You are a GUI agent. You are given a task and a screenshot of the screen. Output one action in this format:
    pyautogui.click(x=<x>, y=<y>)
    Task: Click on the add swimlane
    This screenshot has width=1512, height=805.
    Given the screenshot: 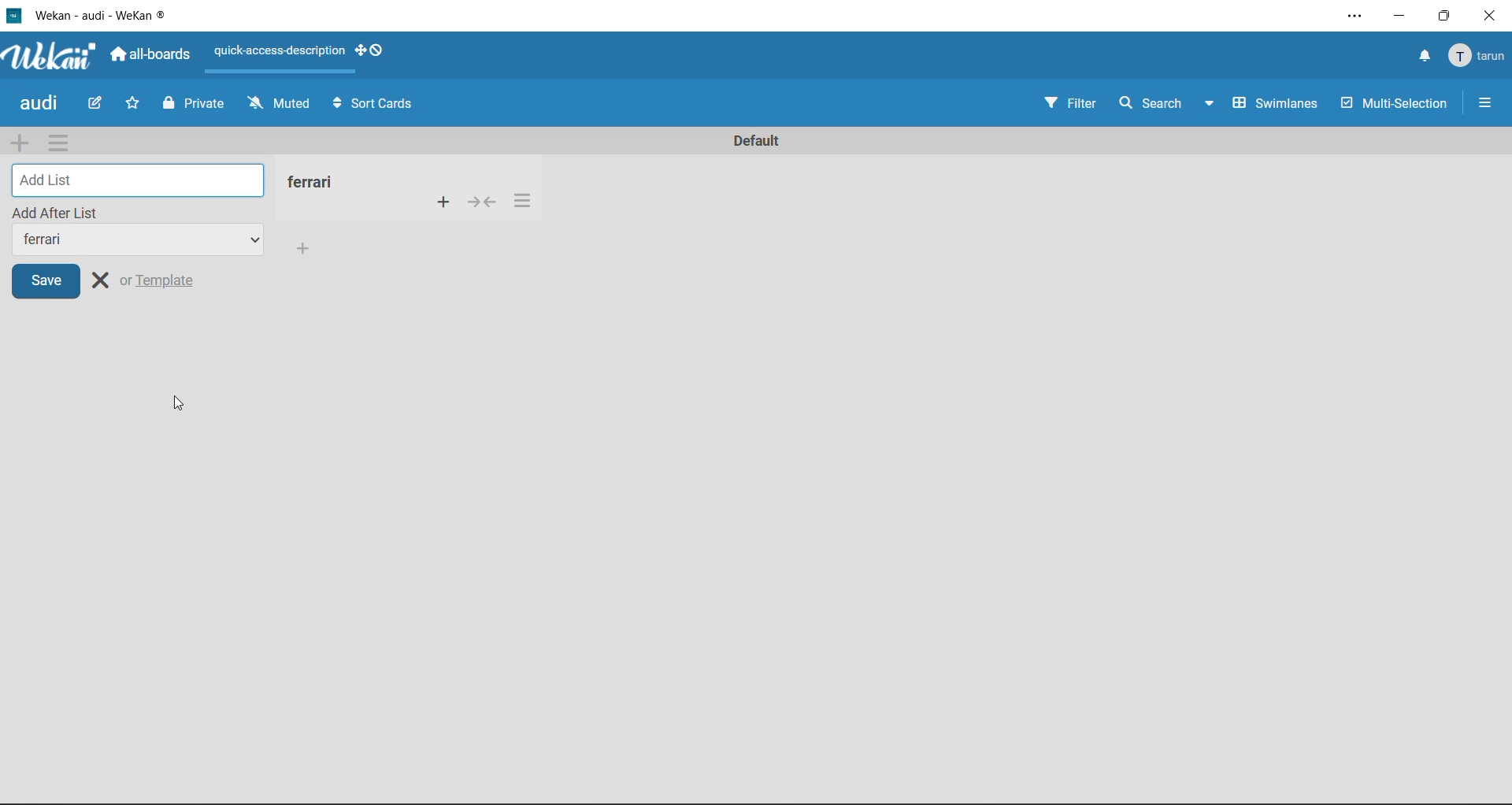 What is the action you would take?
    pyautogui.click(x=18, y=143)
    